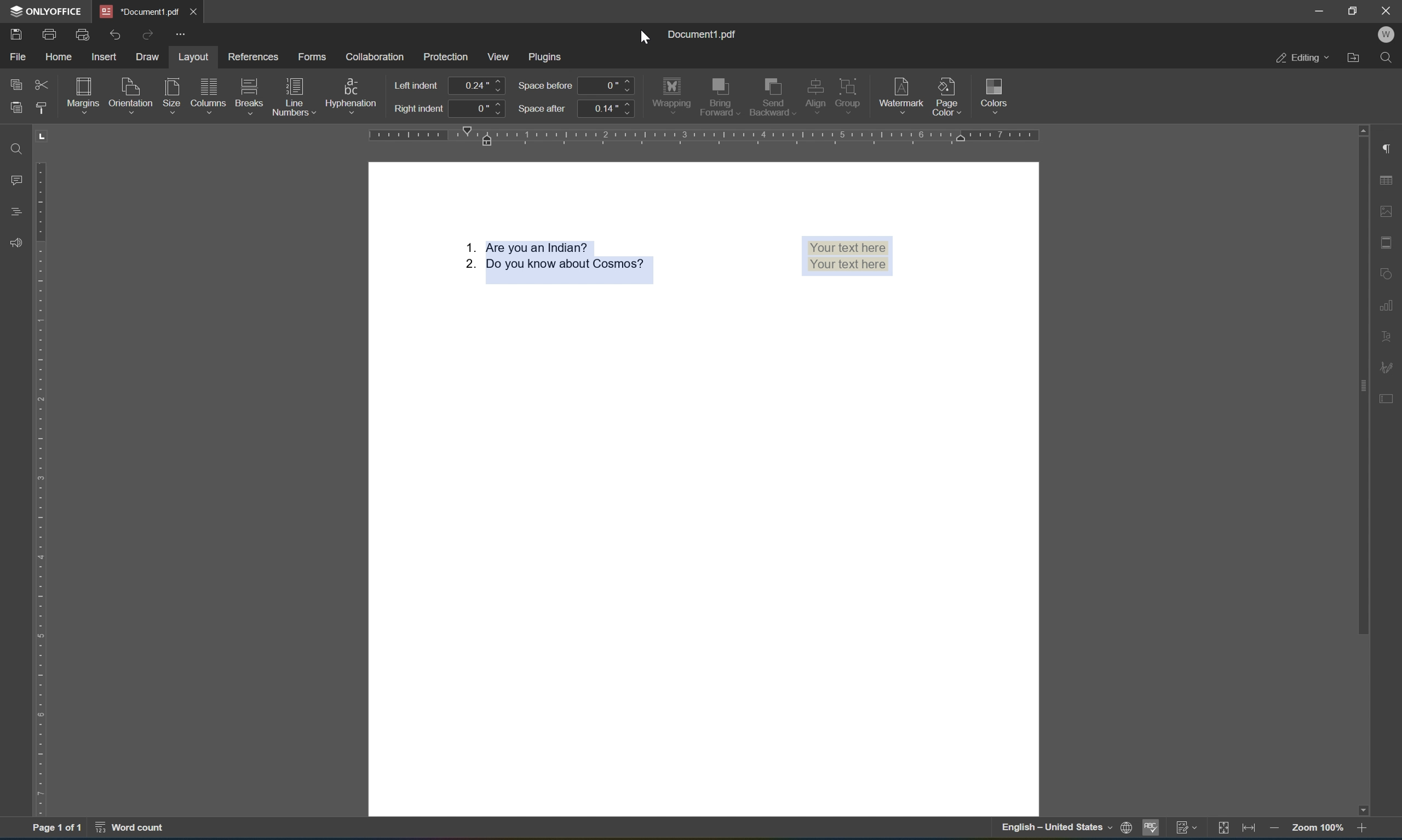  Describe the element at coordinates (193, 57) in the screenshot. I see `layout` at that location.